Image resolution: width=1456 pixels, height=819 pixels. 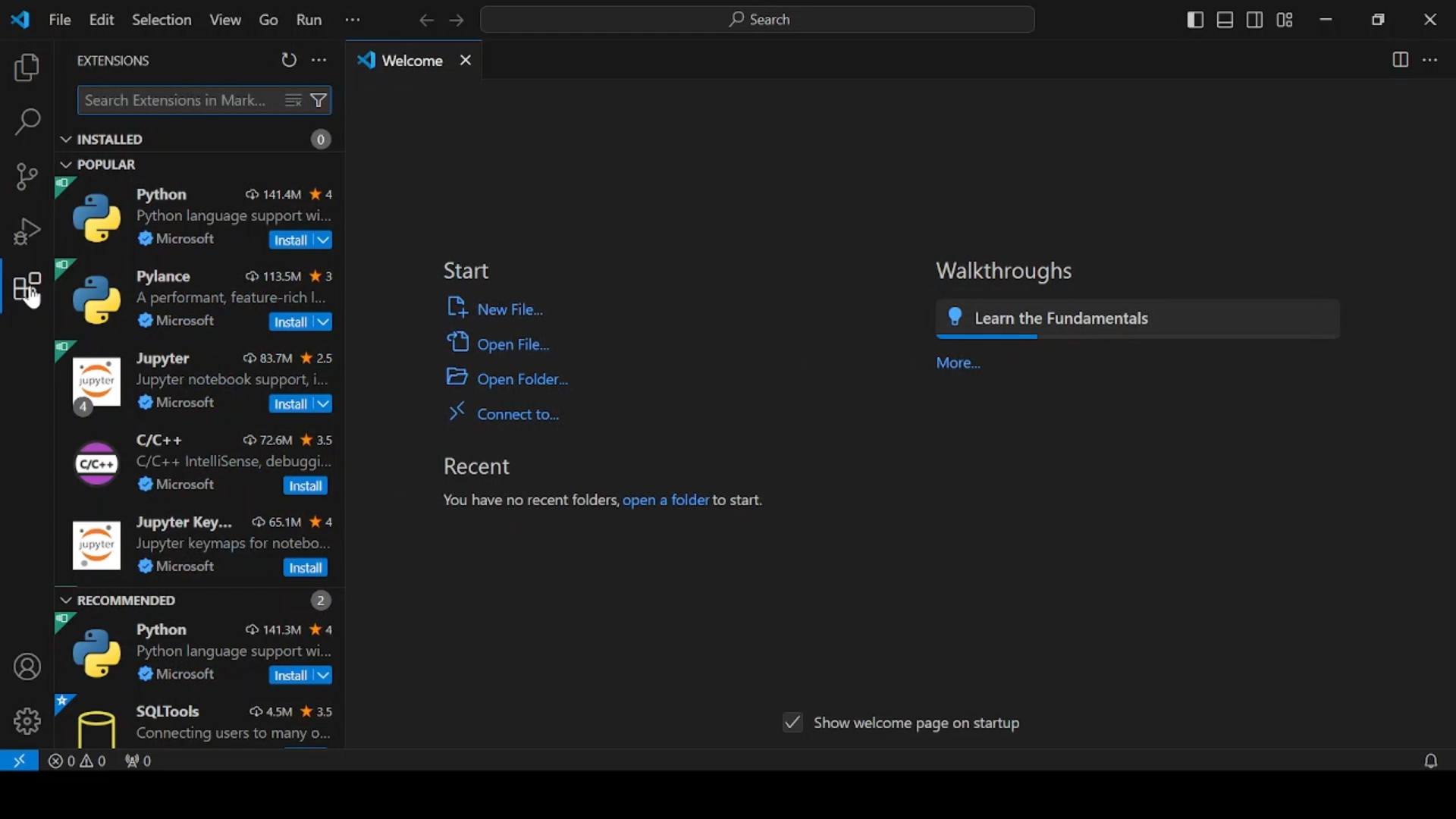 I want to click on notifications, so click(x=1415, y=760).